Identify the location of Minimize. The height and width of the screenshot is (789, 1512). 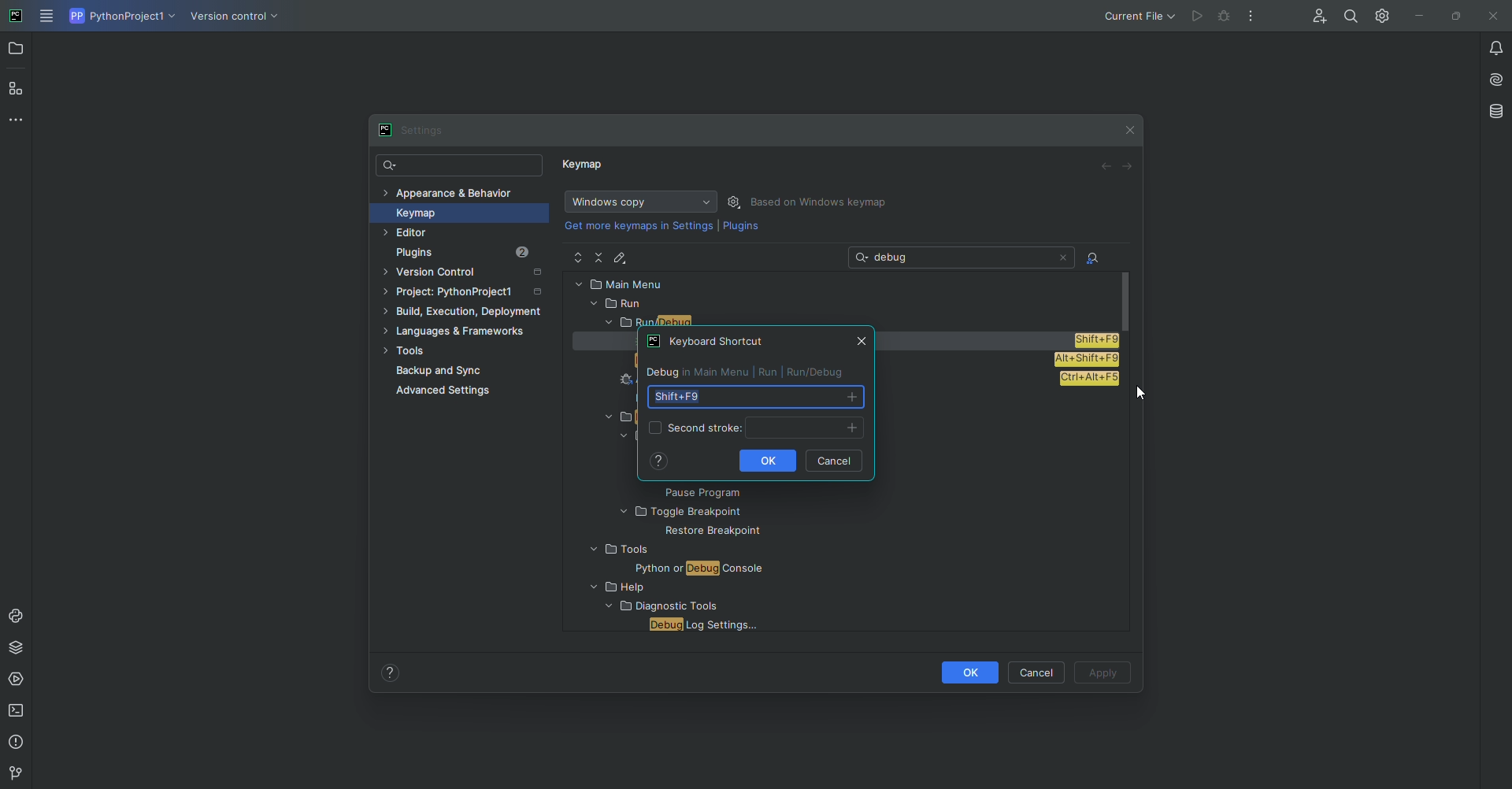
(1415, 16).